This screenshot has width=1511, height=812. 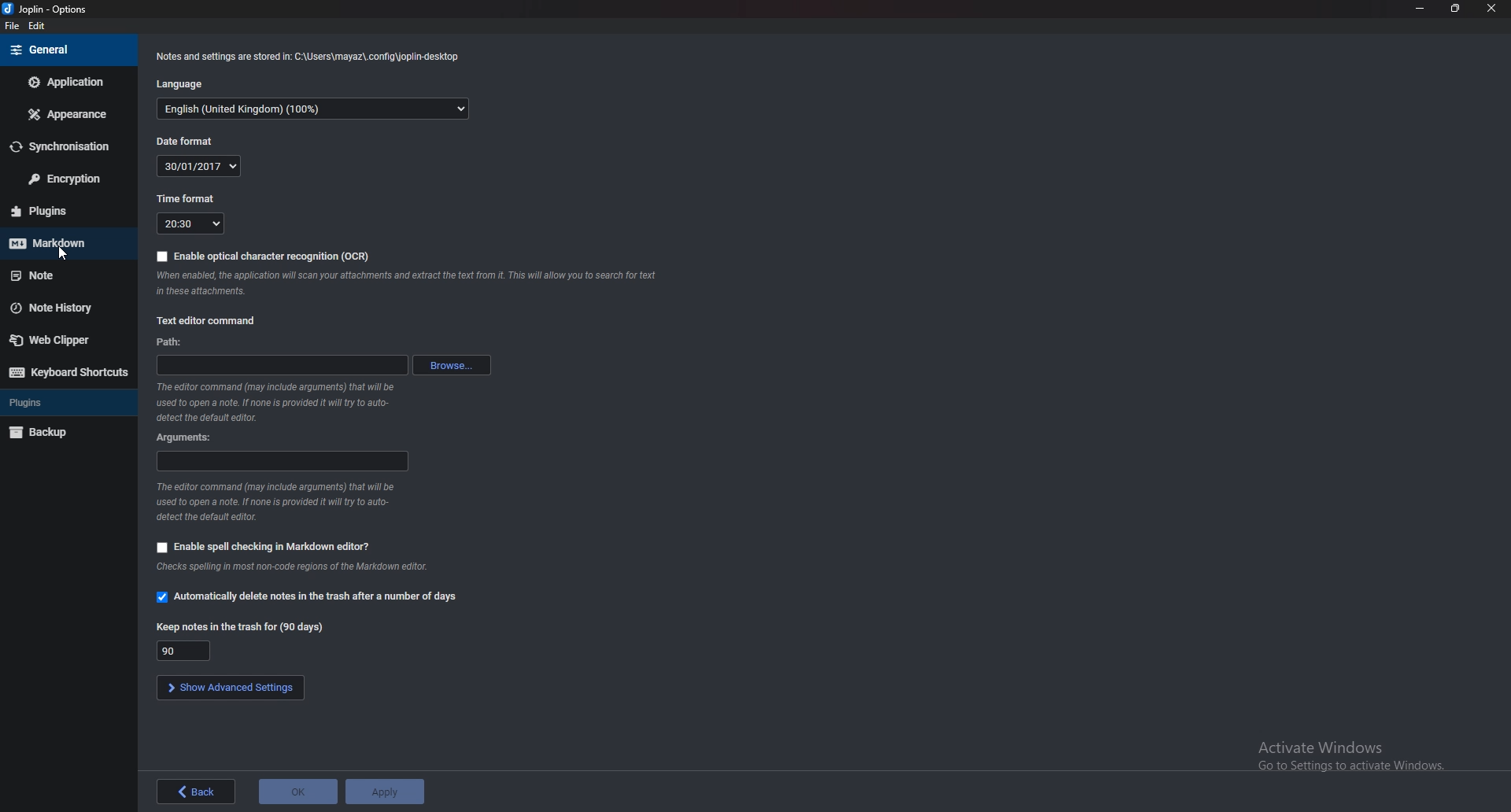 What do you see at coordinates (189, 199) in the screenshot?
I see `Time format` at bounding box center [189, 199].